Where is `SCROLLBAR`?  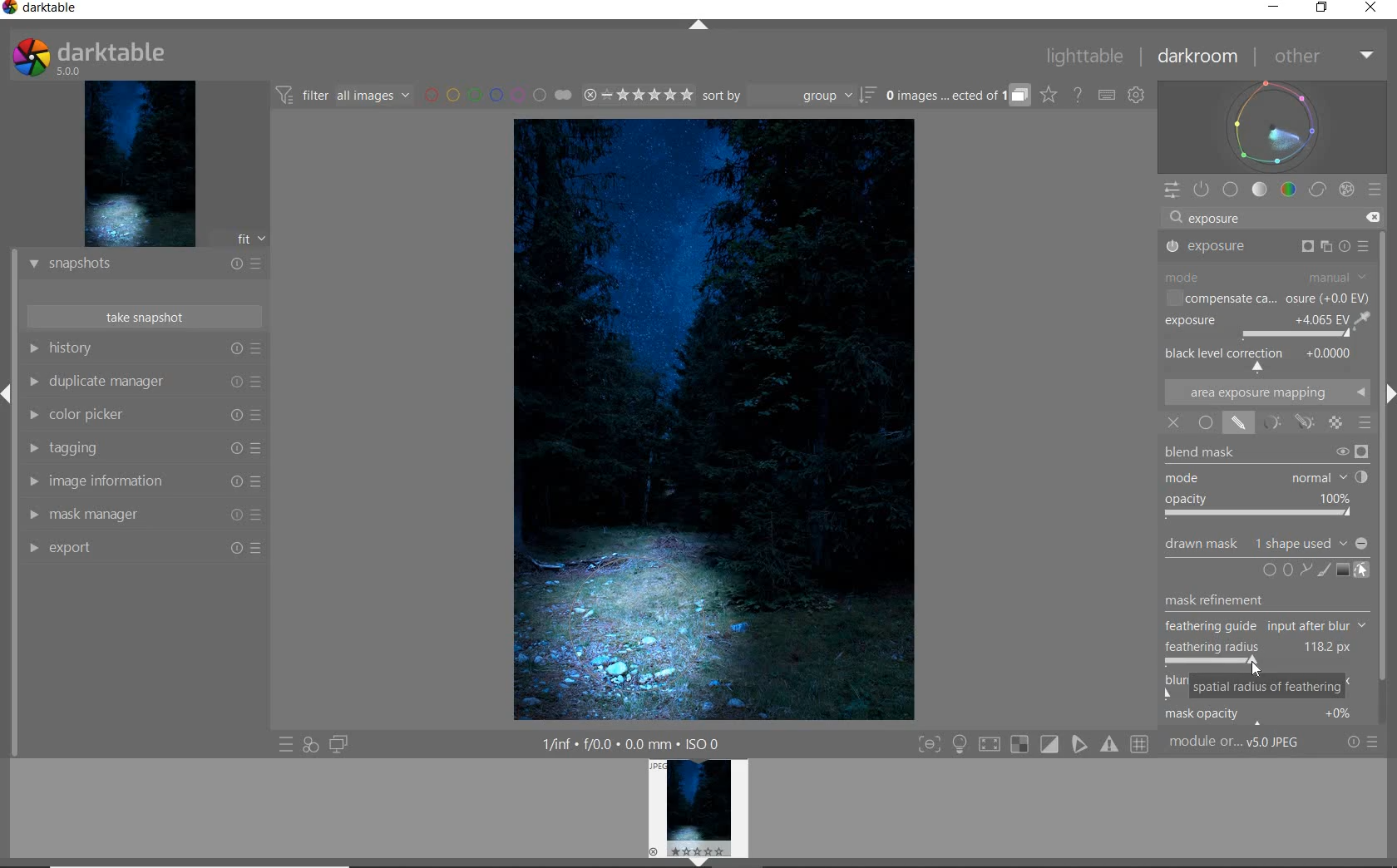 SCROLLBAR is located at coordinates (1389, 303).